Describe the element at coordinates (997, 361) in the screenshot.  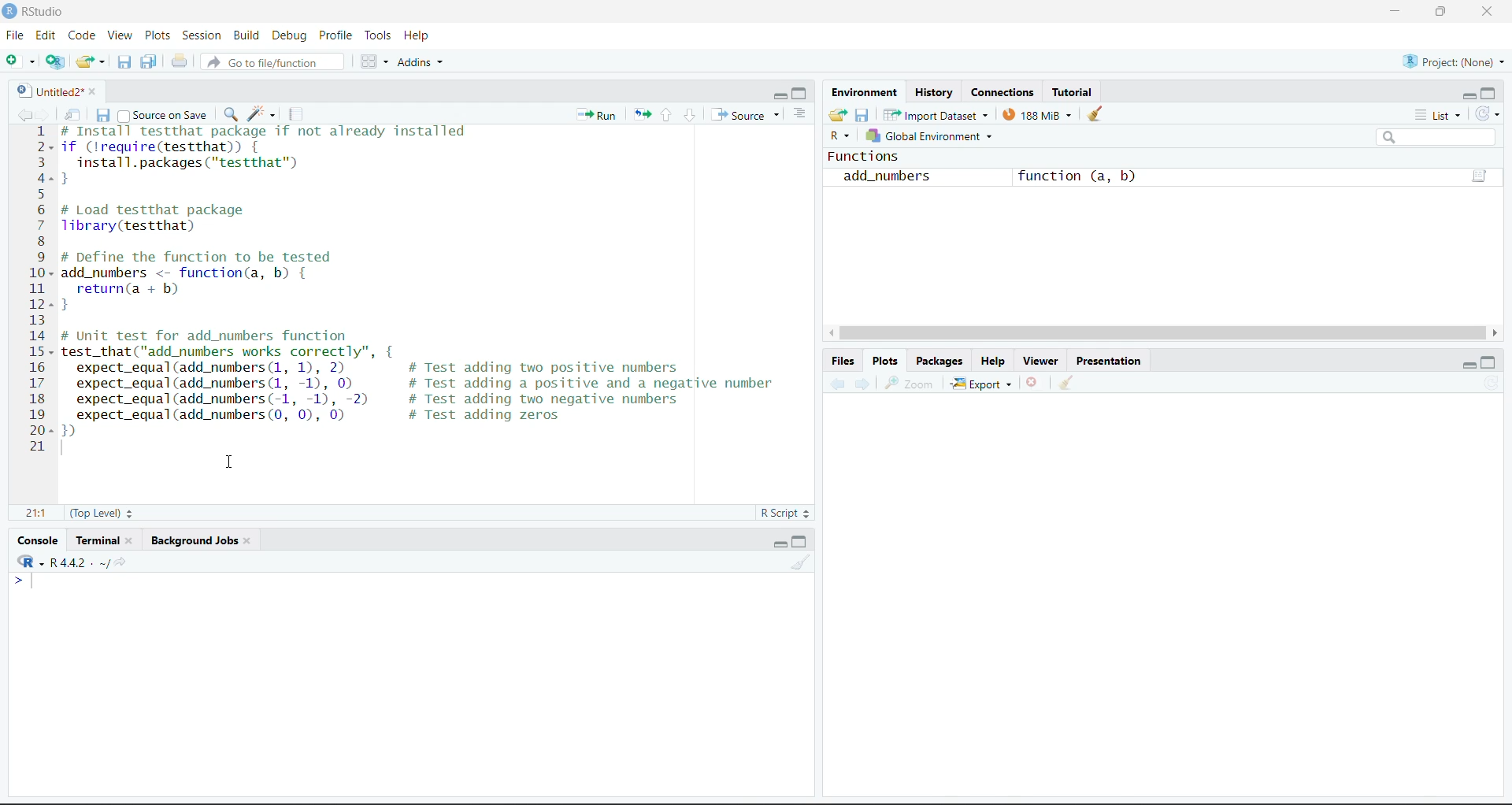
I see `Help` at that location.